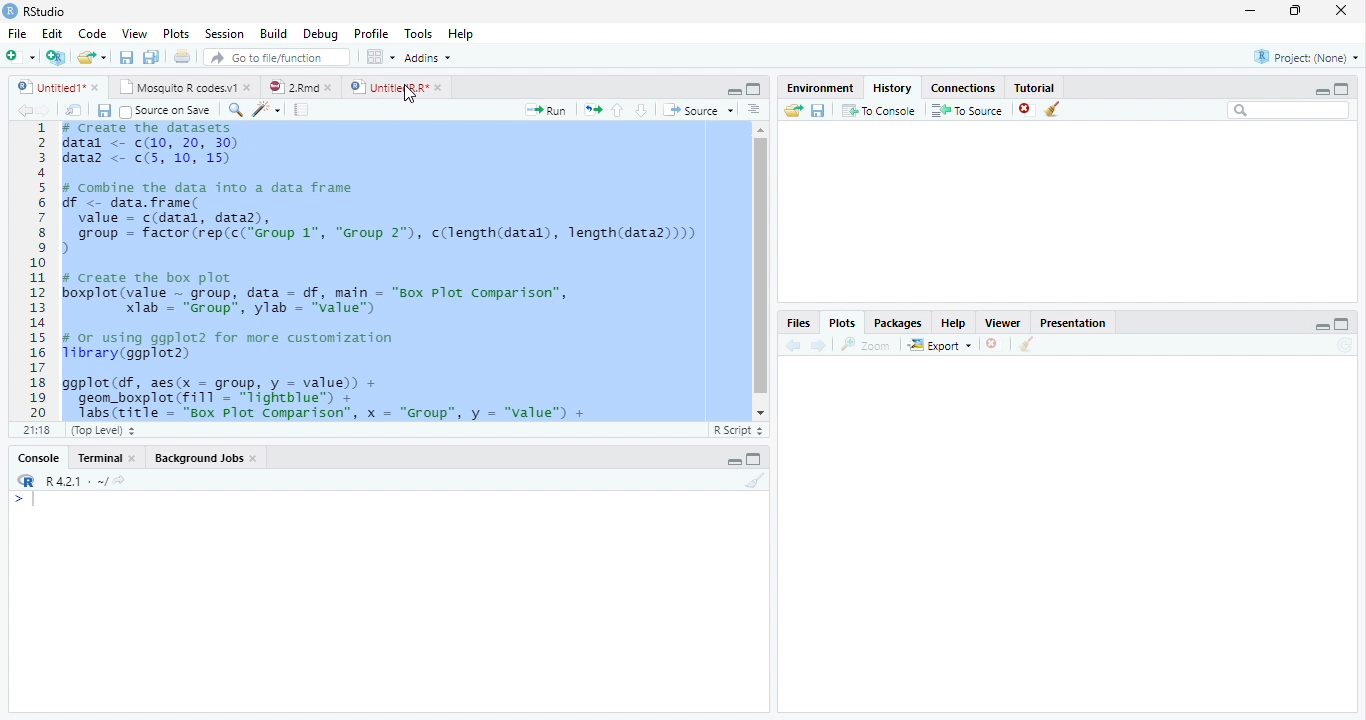 This screenshot has width=1366, height=720. What do you see at coordinates (119, 480) in the screenshot?
I see `View the current working directory` at bounding box center [119, 480].